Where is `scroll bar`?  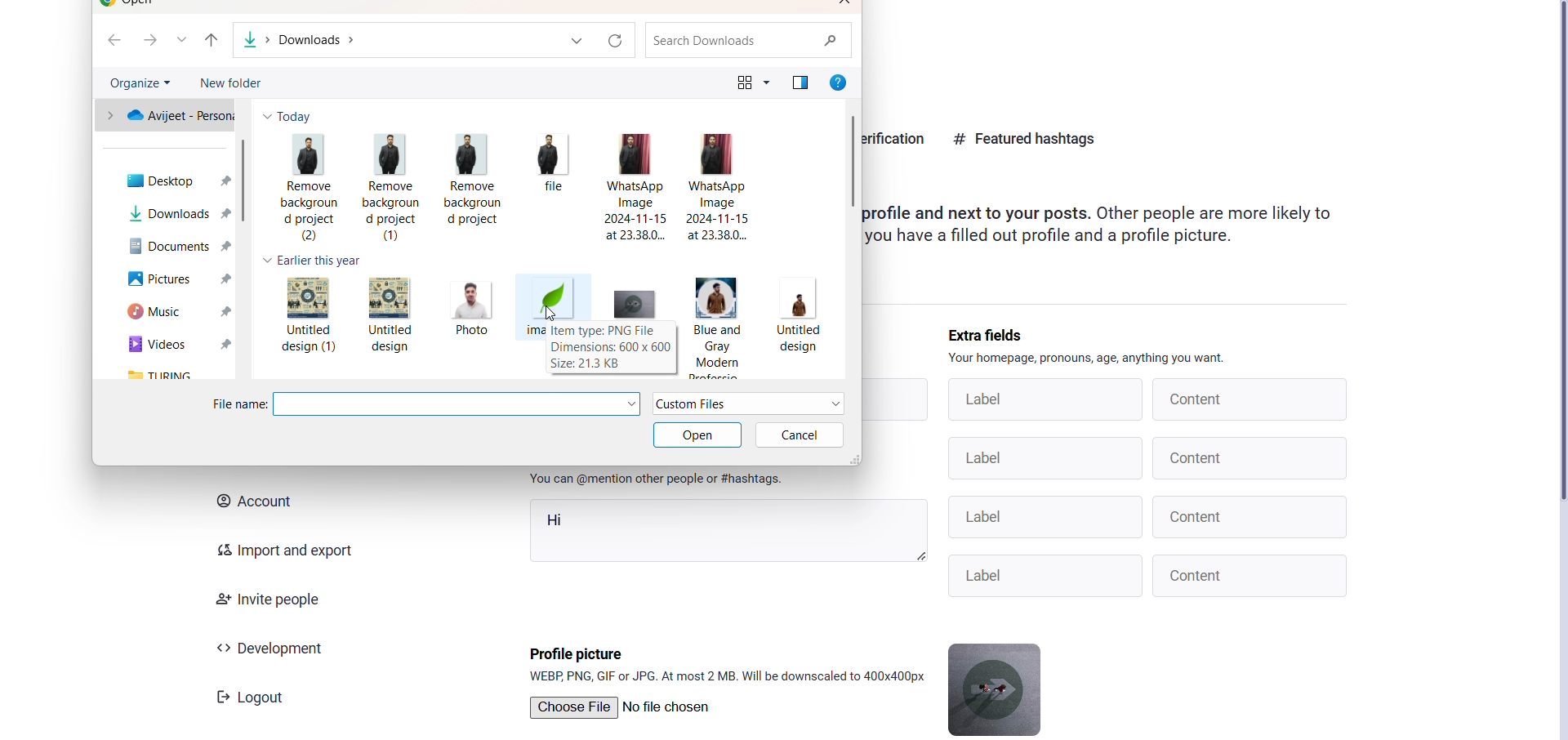 scroll bar is located at coordinates (852, 158).